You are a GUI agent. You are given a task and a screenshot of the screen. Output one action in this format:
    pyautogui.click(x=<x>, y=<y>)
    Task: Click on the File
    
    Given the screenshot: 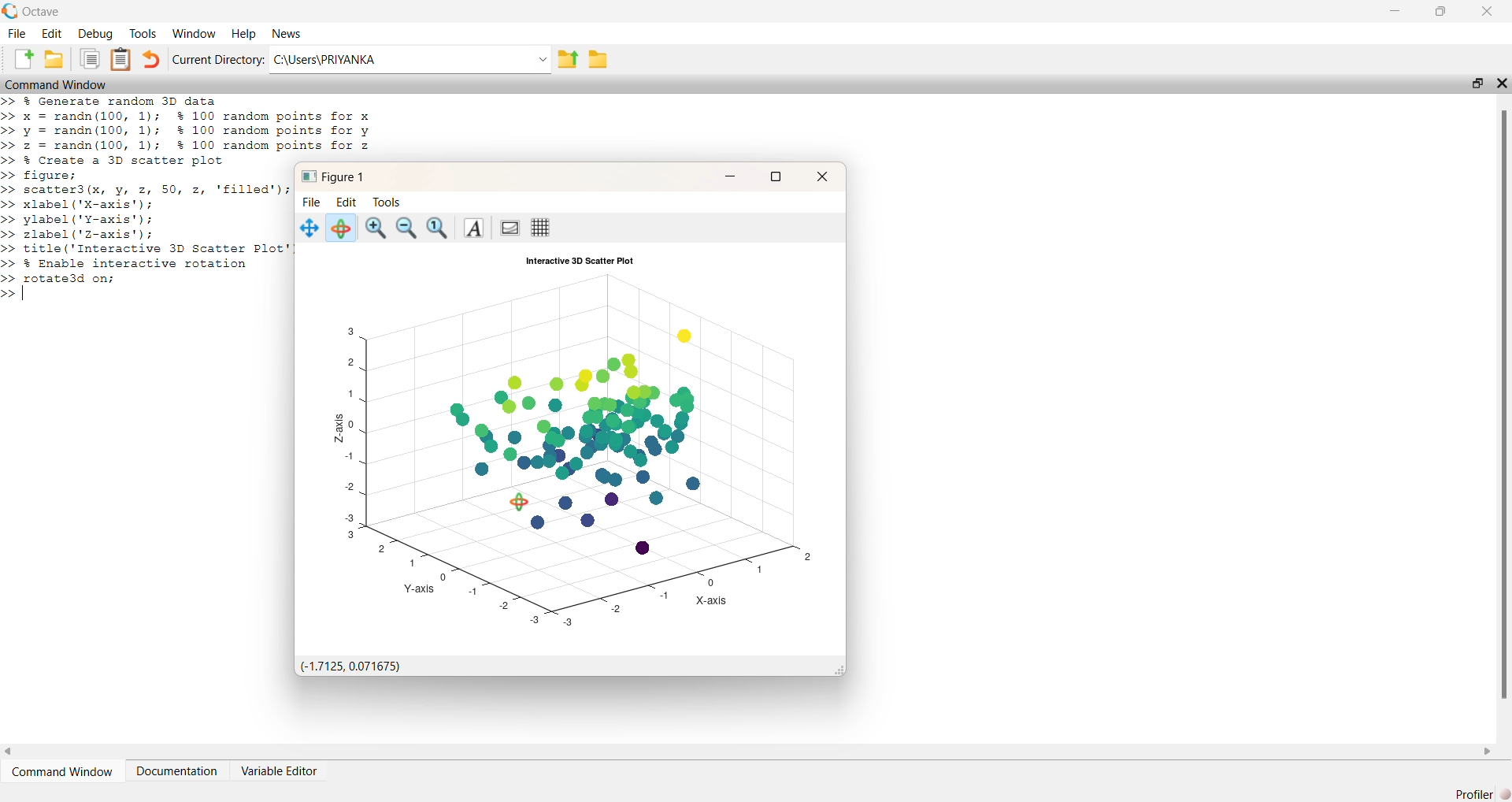 What is the action you would take?
    pyautogui.click(x=17, y=34)
    